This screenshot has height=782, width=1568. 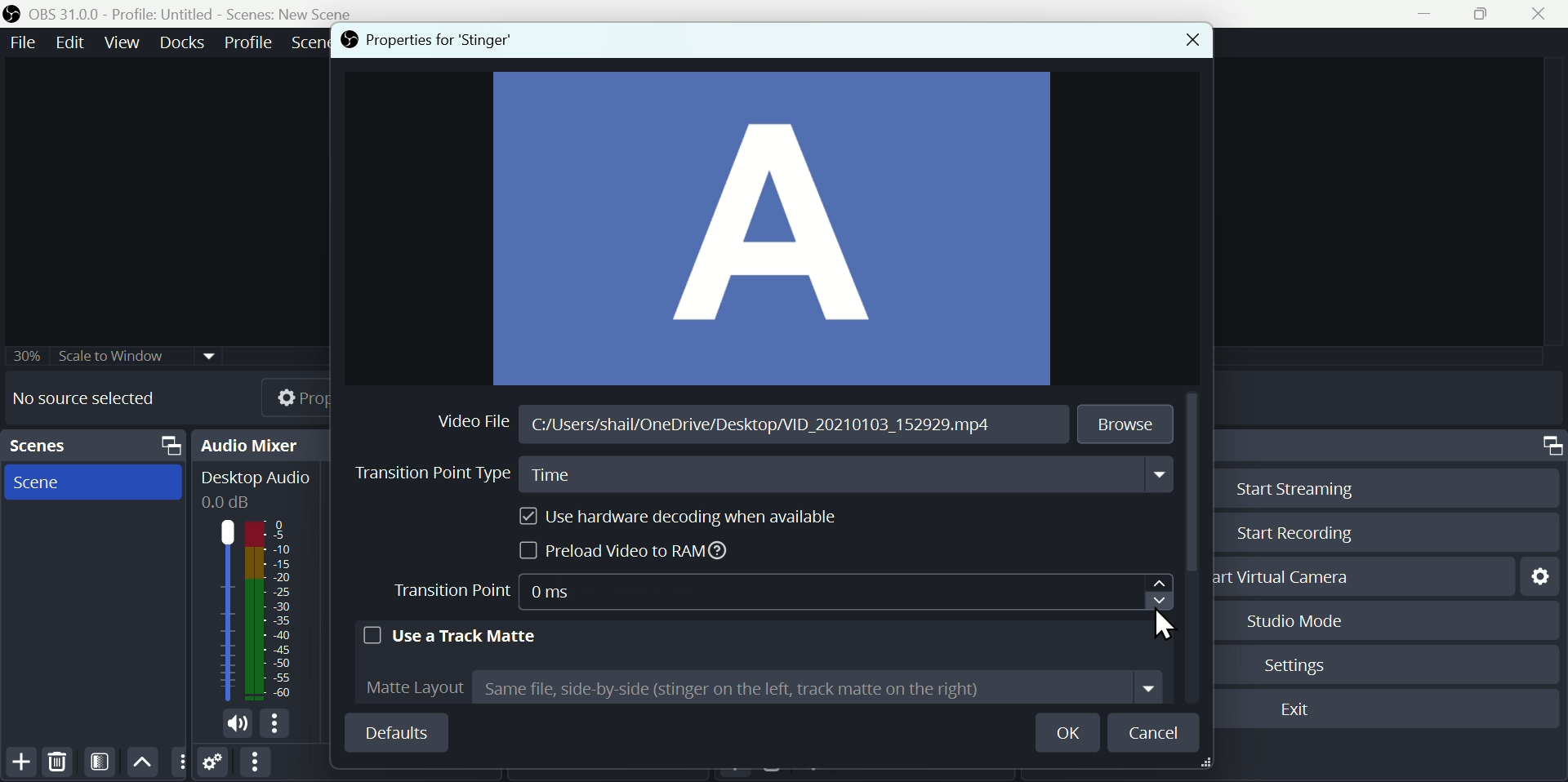 What do you see at coordinates (93, 482) in the screenshot?
I see `scenes` at bounding box center [93, 482].